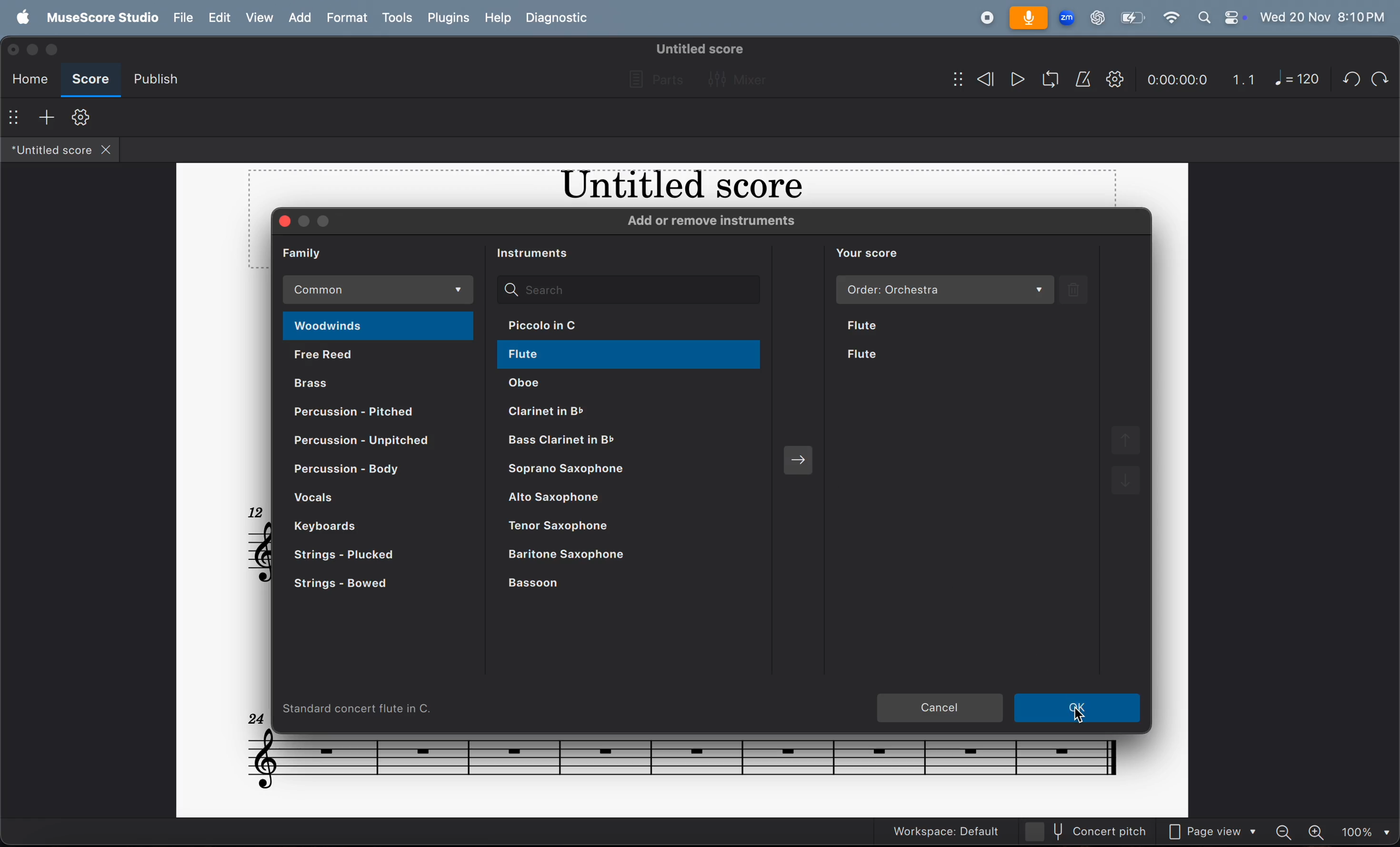  What do you see at coordinates (31, 78) in the screenshot?
I see `home` at bounding box center [31, 78].